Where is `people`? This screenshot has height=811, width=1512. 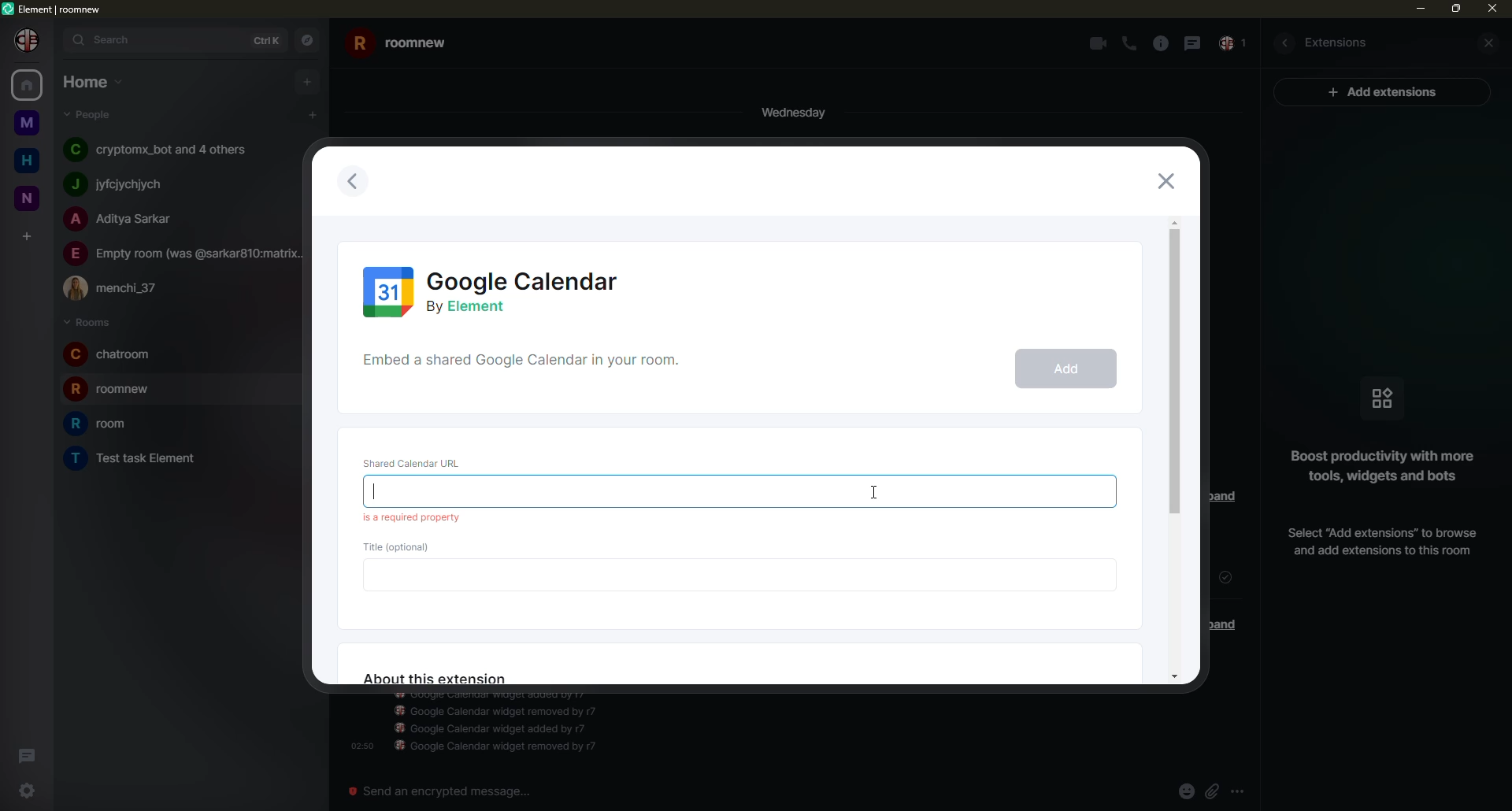
people is located at coordinates (115, 185).